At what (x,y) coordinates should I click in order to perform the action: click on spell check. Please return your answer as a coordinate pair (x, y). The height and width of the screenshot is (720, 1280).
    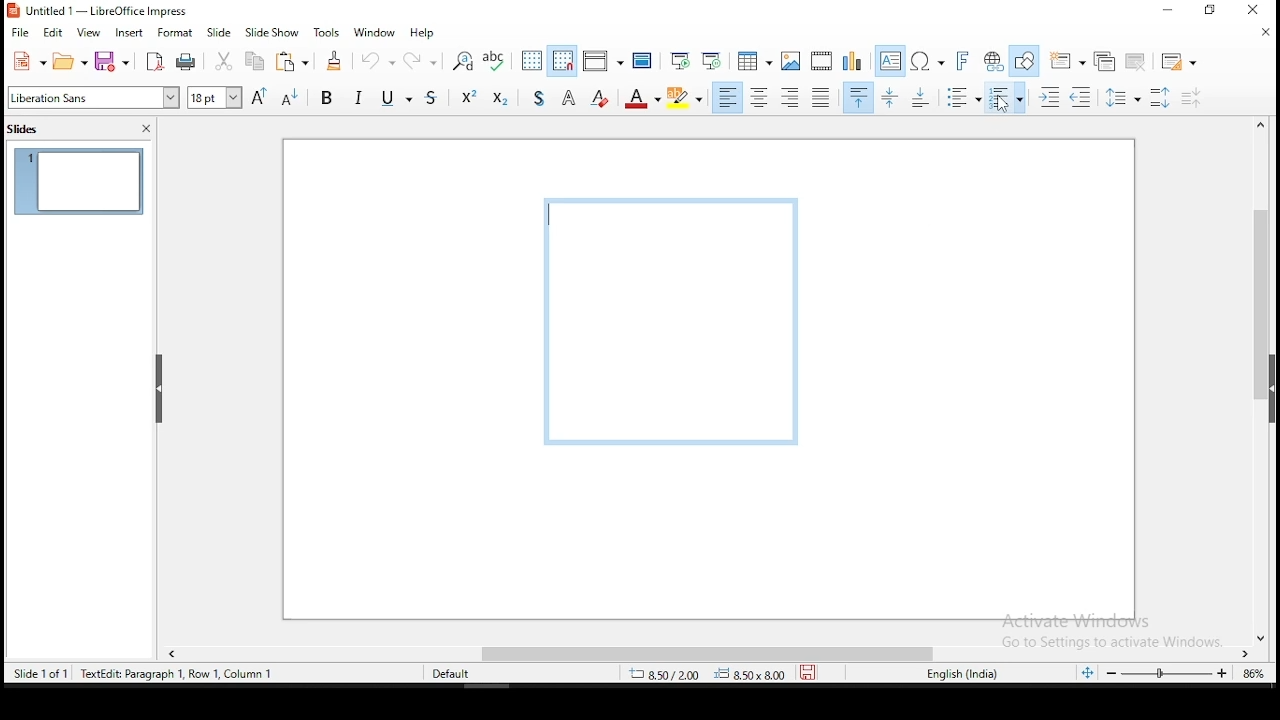
    Looking at the image, I should click on (493, 59).